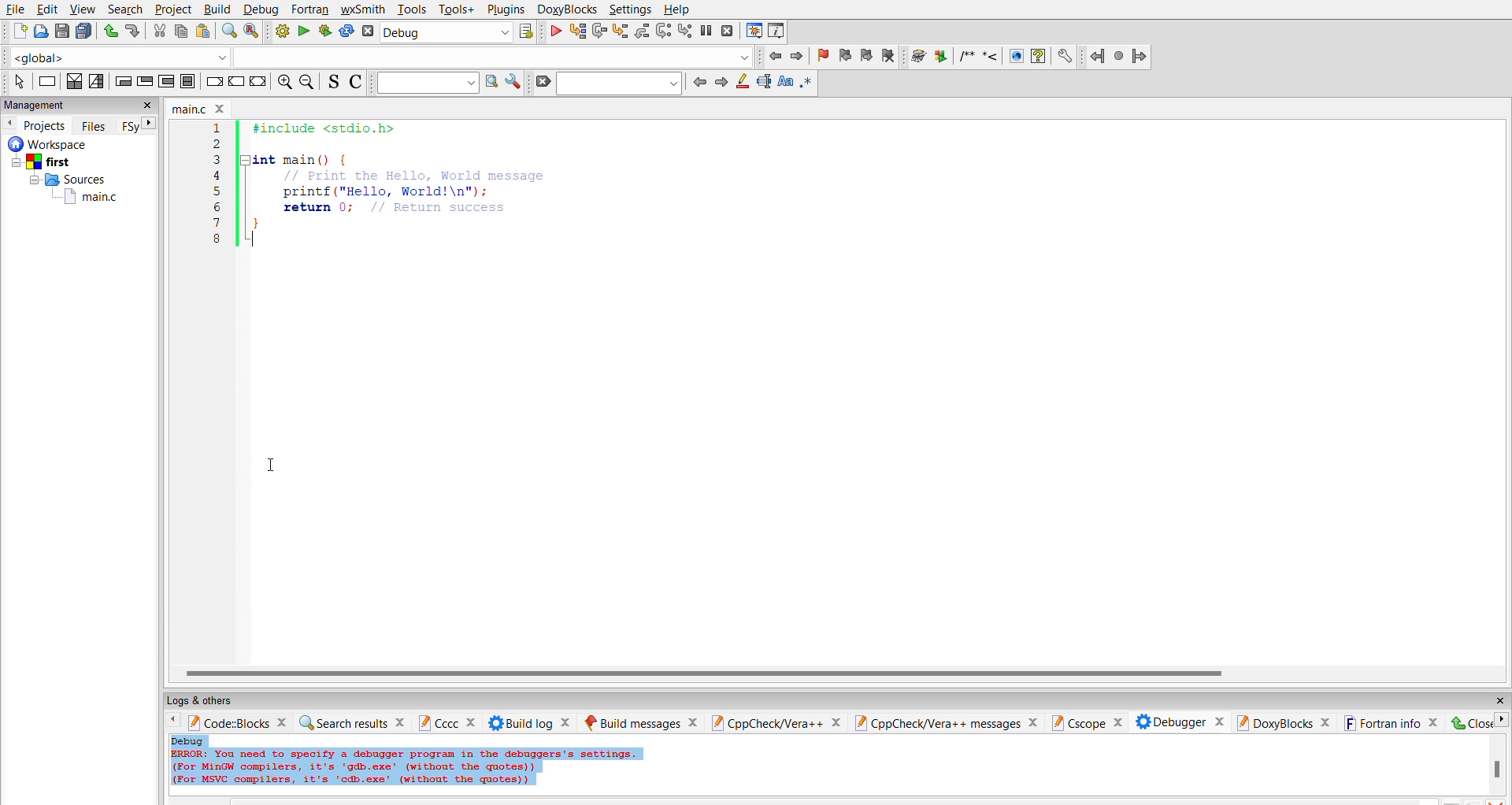  I want to click on vertical scroll bar, so click(1500, 766).